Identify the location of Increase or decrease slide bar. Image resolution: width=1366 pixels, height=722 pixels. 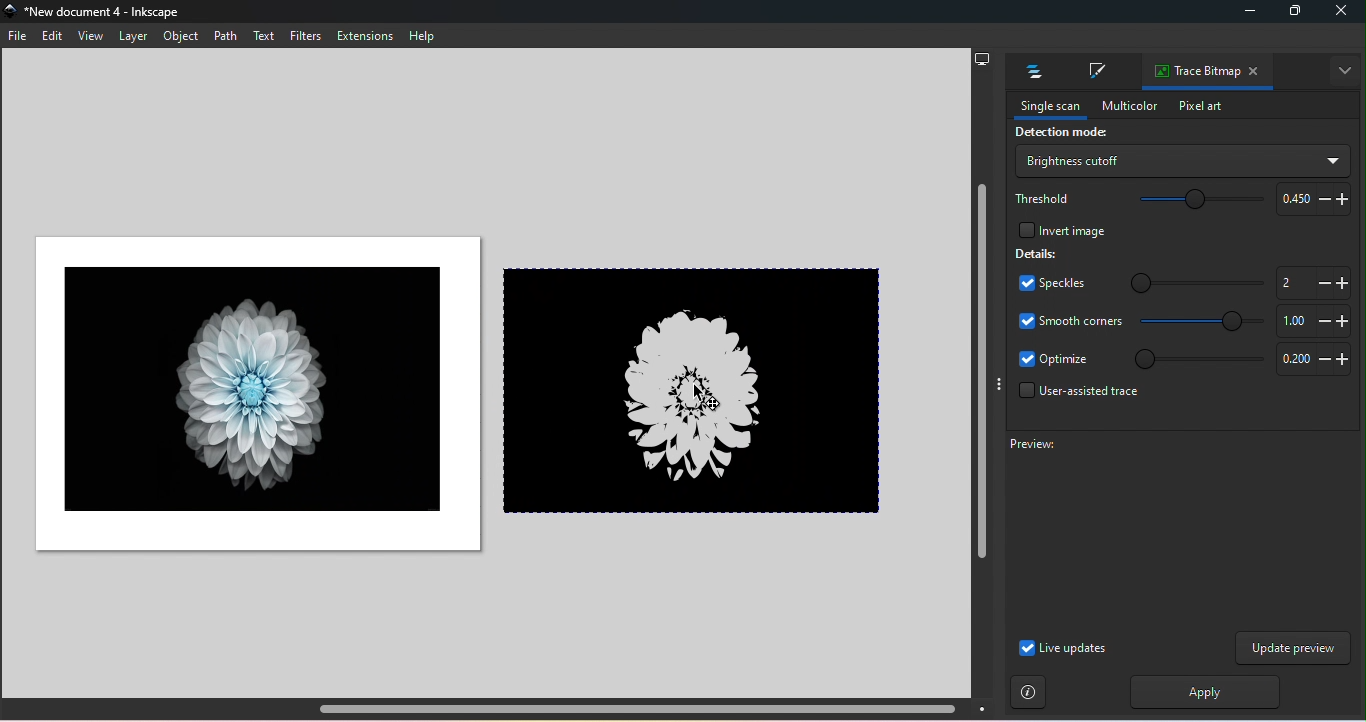
(1309, 282).